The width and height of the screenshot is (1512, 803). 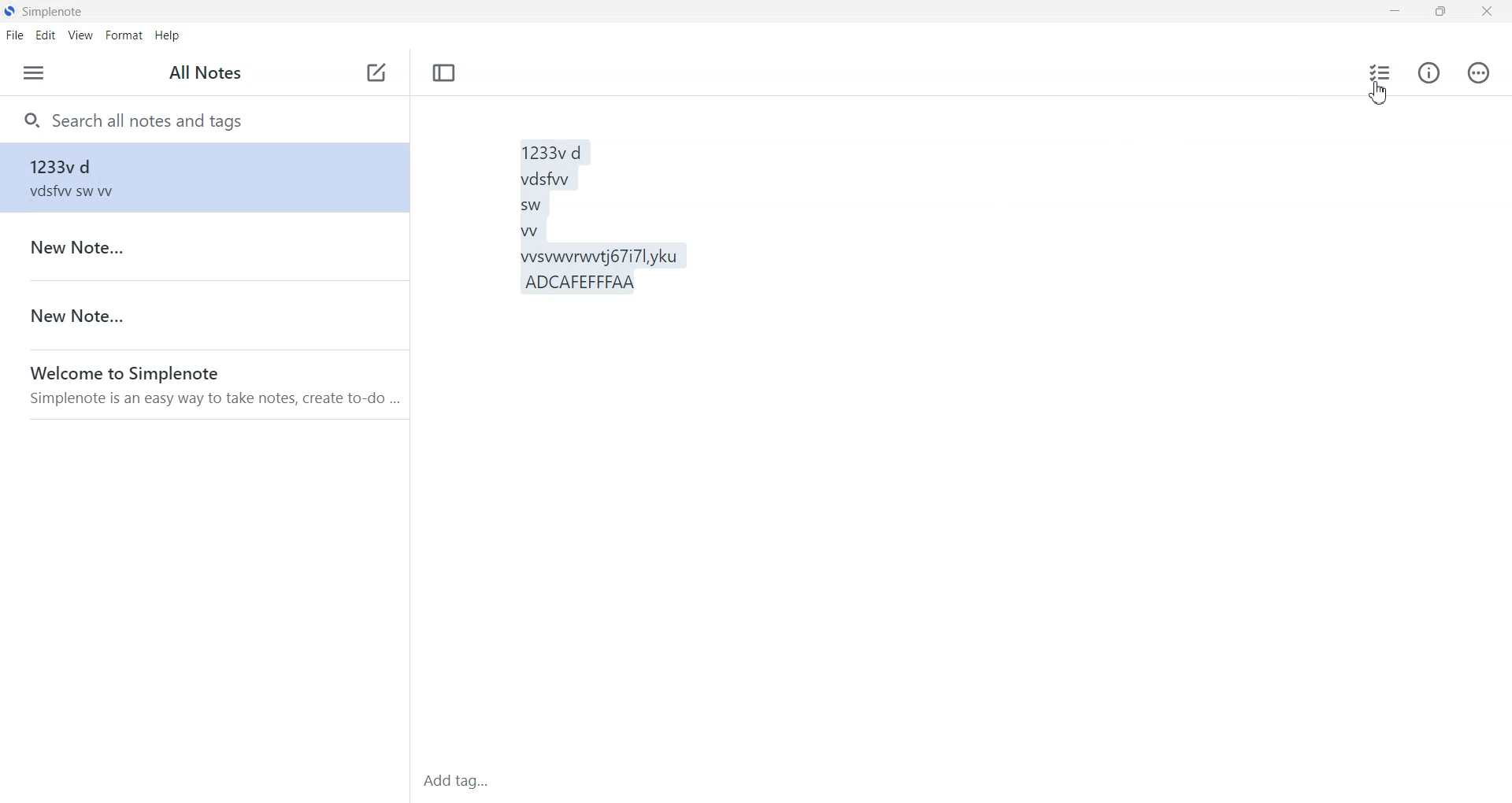 I want to click on Note file - 1233v d, so click(x=206, y=177).